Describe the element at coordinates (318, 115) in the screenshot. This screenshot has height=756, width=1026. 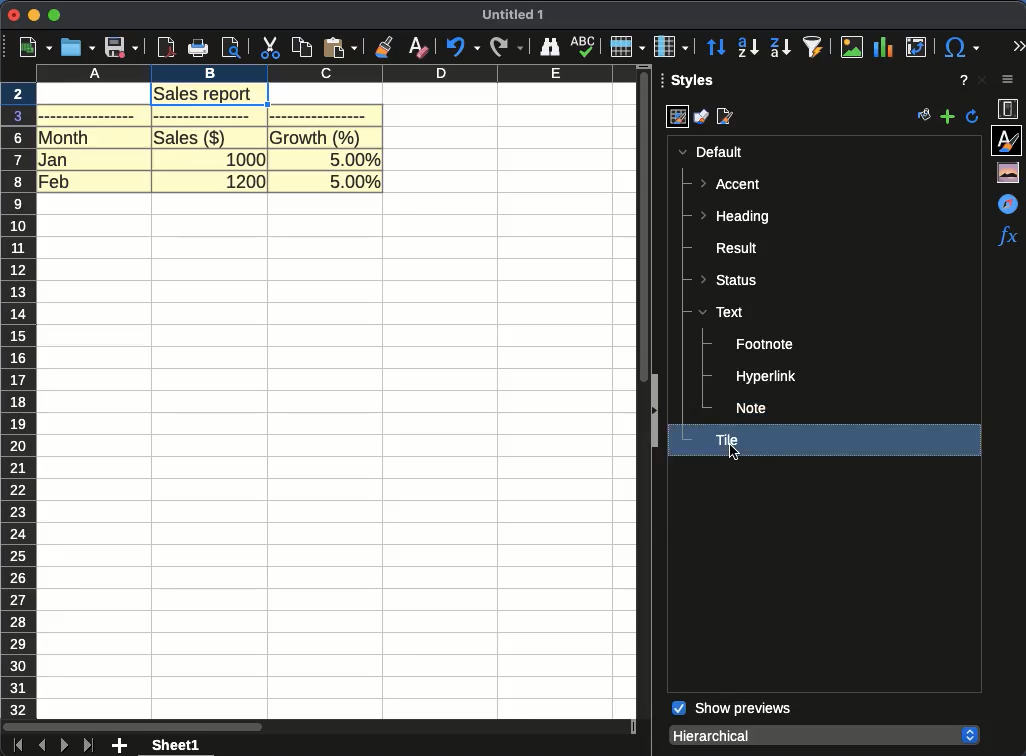
I see `blank` at that location.